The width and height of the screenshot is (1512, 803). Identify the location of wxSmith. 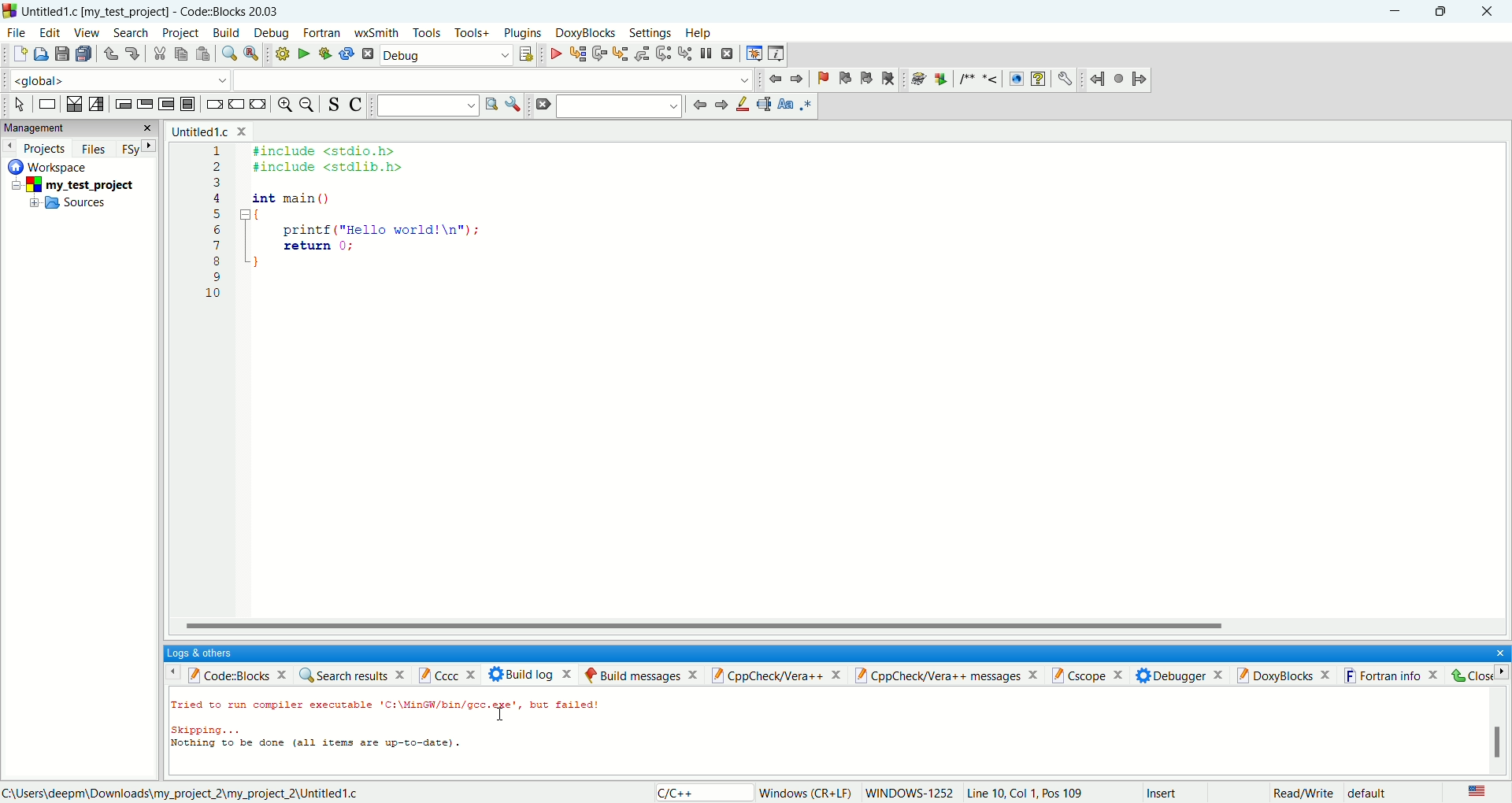
(376, 35).